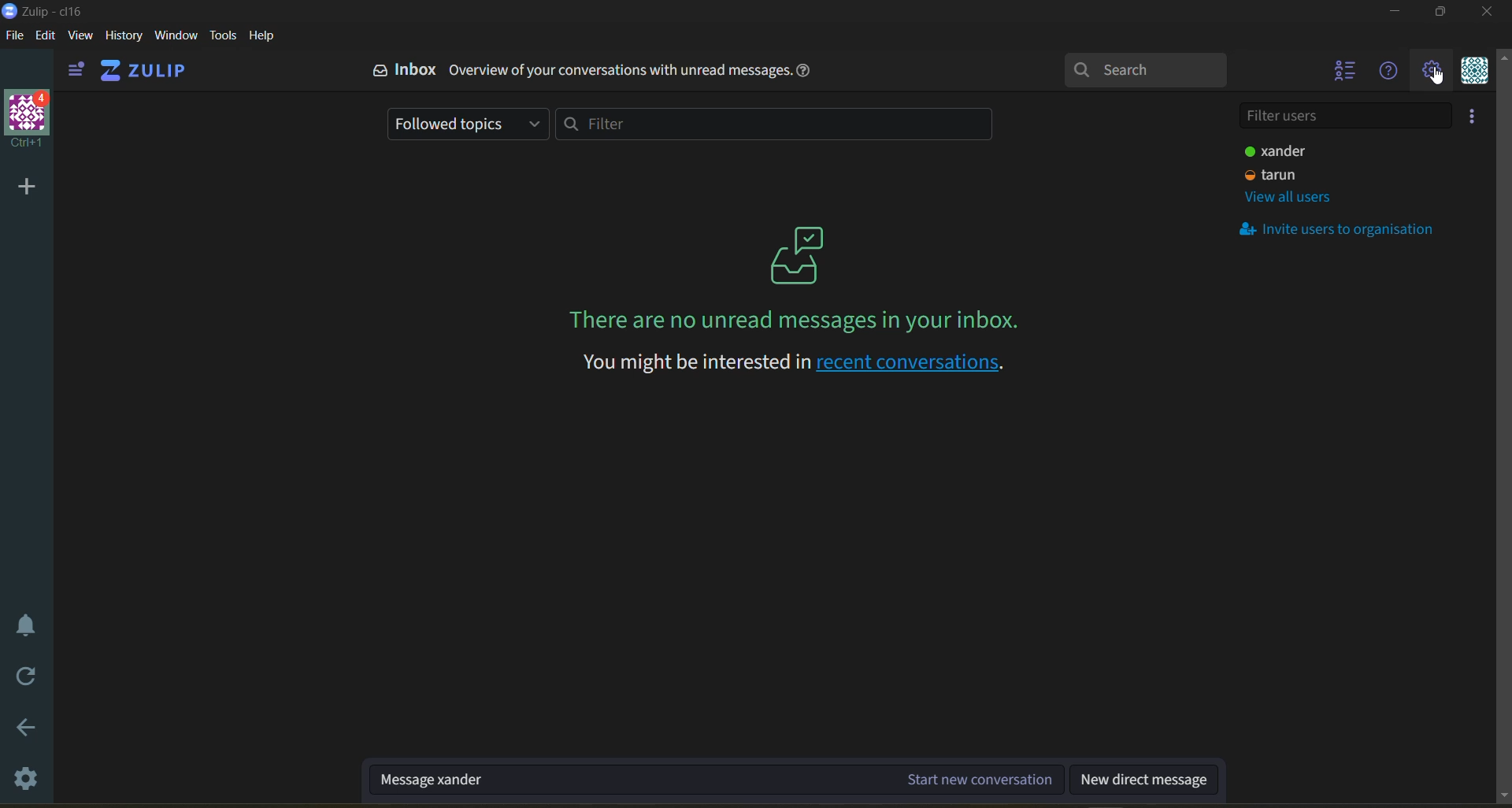 The image size is (1512, 808). Describe the element at coordinates (147, 70) in the screenshot. I see `home view` at that location.